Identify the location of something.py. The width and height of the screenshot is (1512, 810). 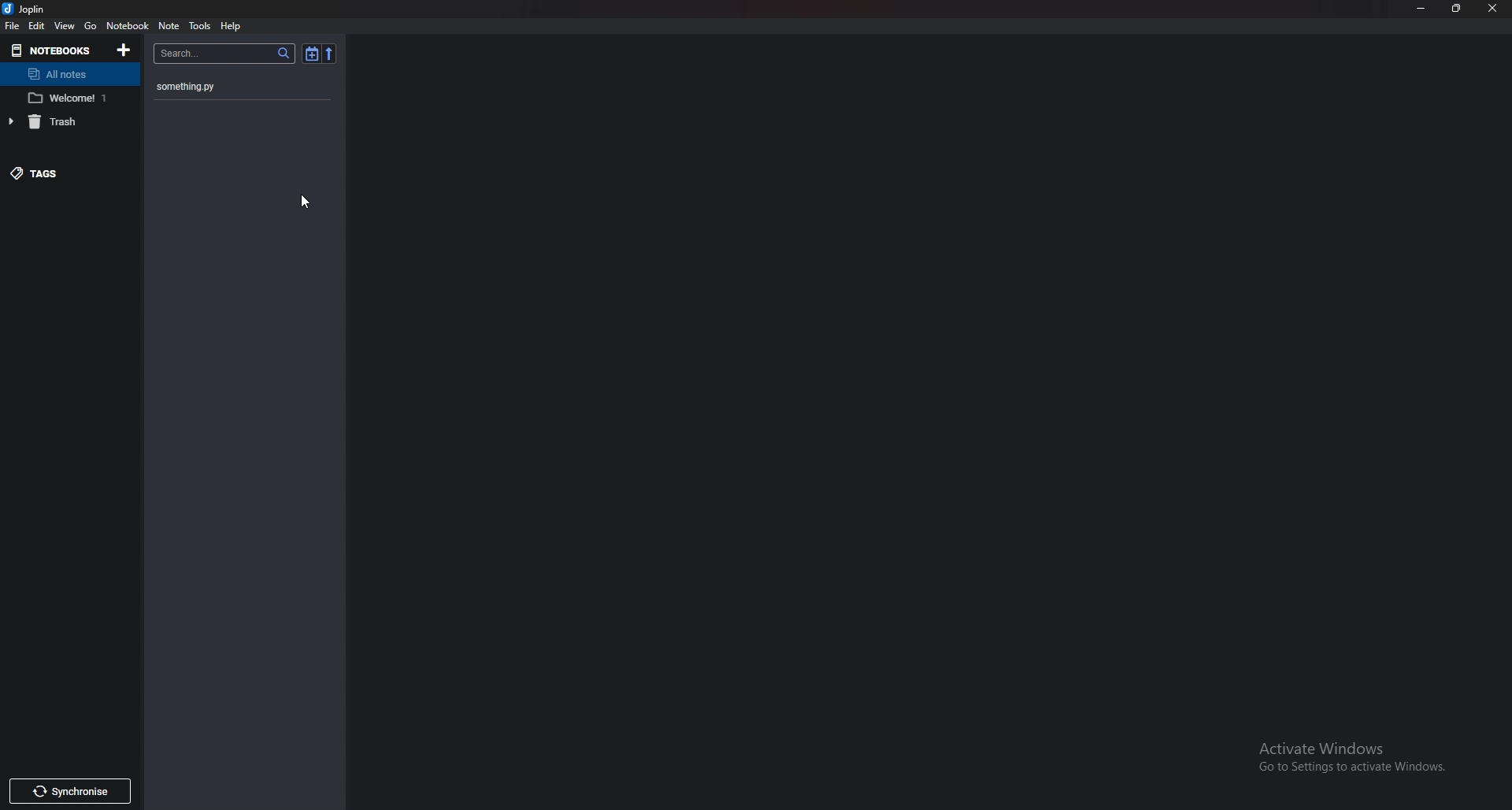
(250, 84).